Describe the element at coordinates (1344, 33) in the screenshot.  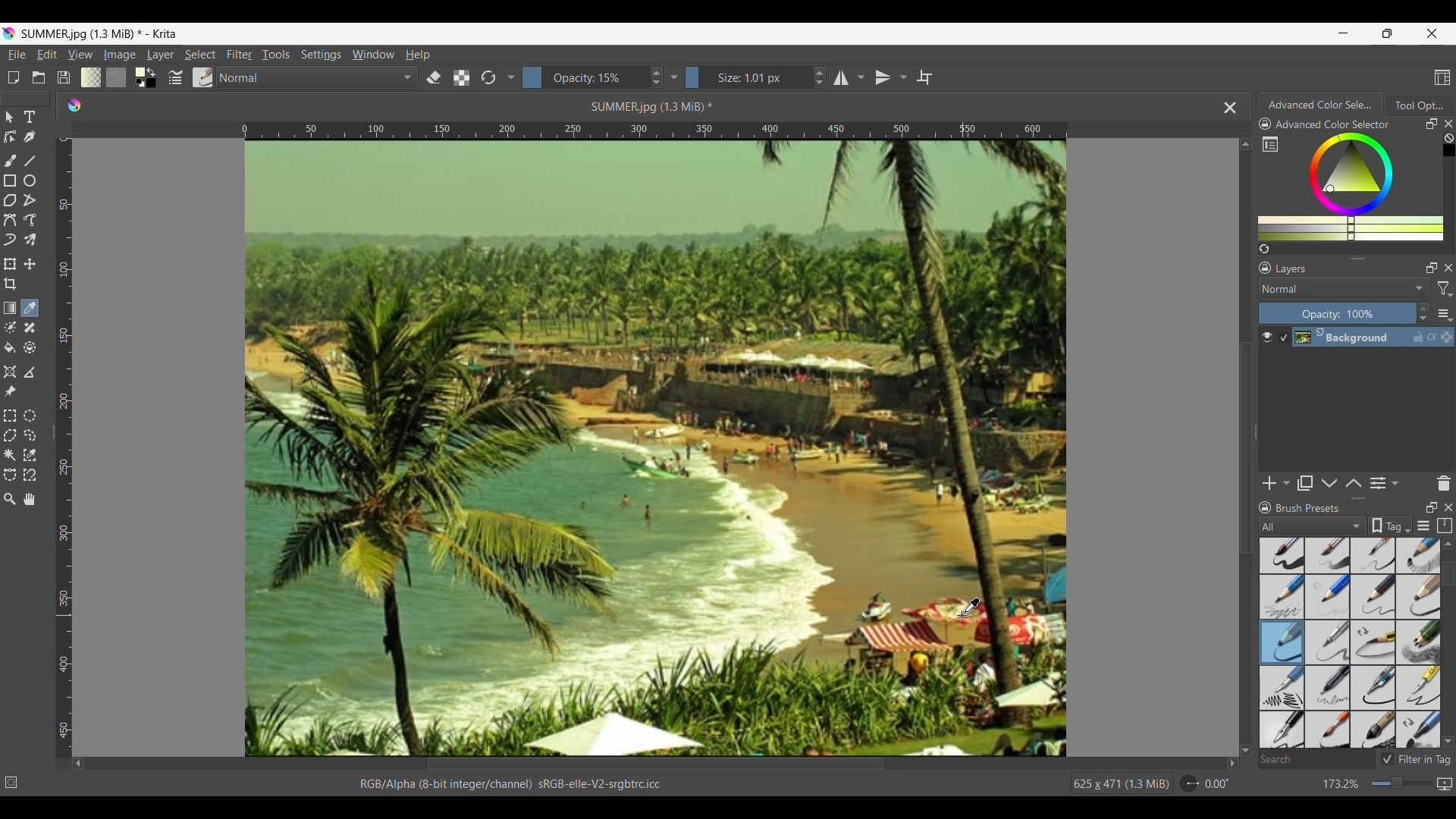
I see `Minimize` at that location.